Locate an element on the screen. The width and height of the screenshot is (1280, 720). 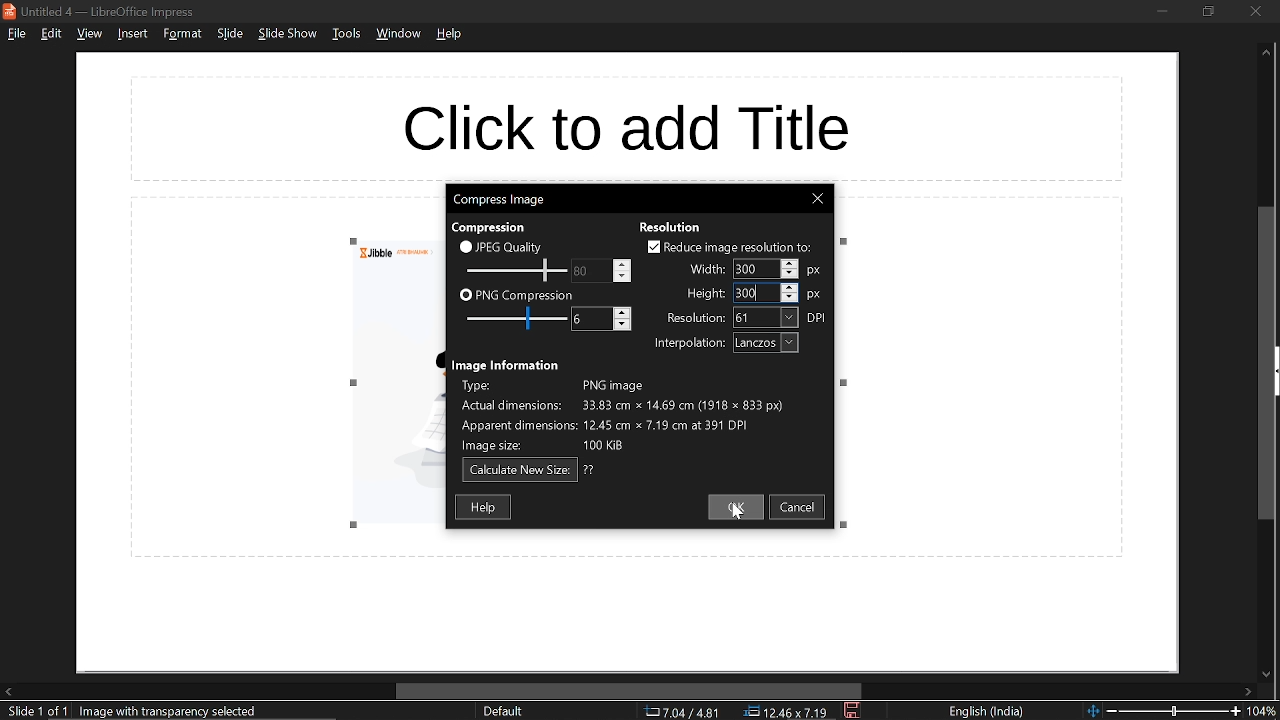
move down is located at coordinates (1264, 672).